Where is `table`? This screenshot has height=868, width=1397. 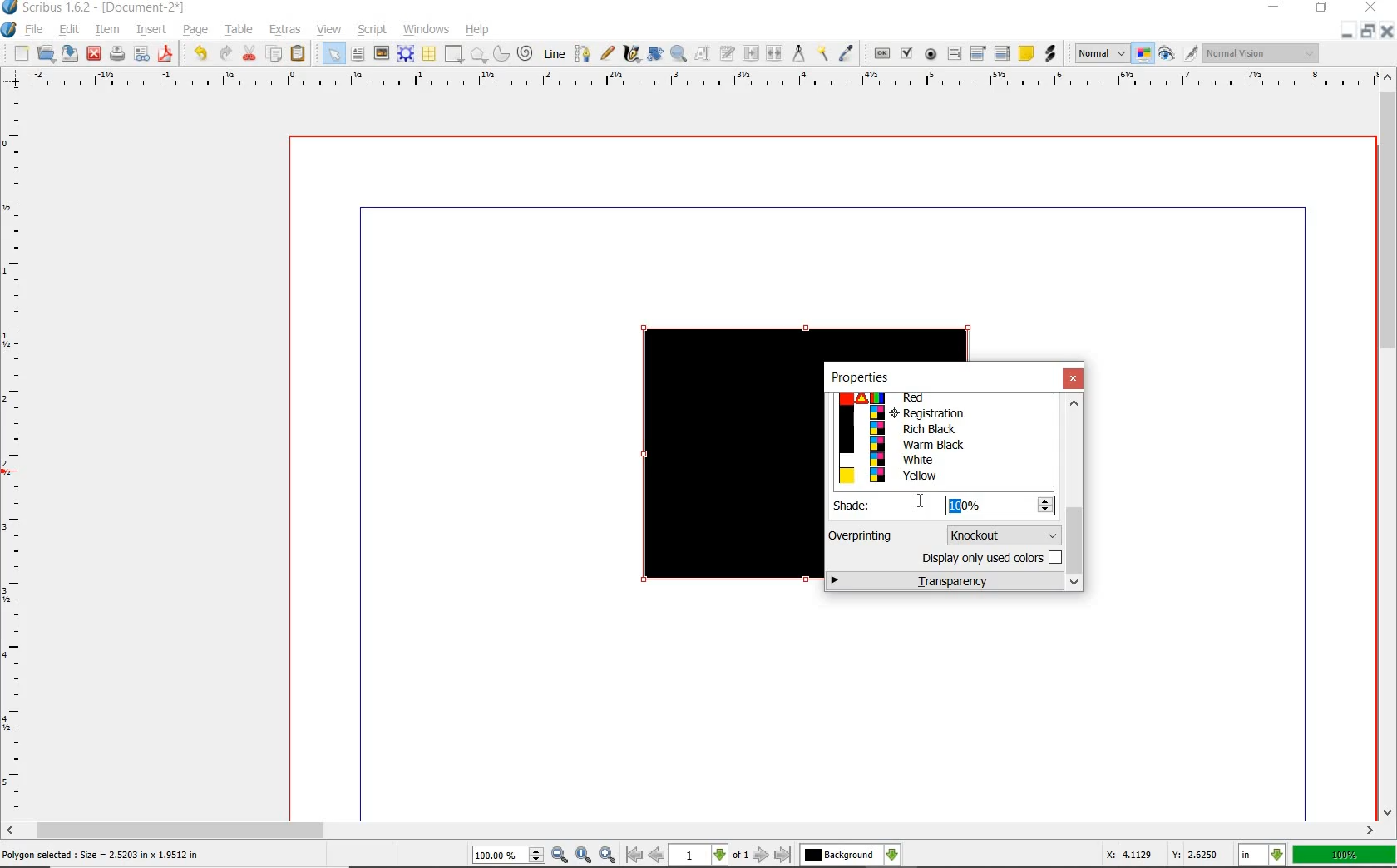
table is located at coordinates (429, 53).